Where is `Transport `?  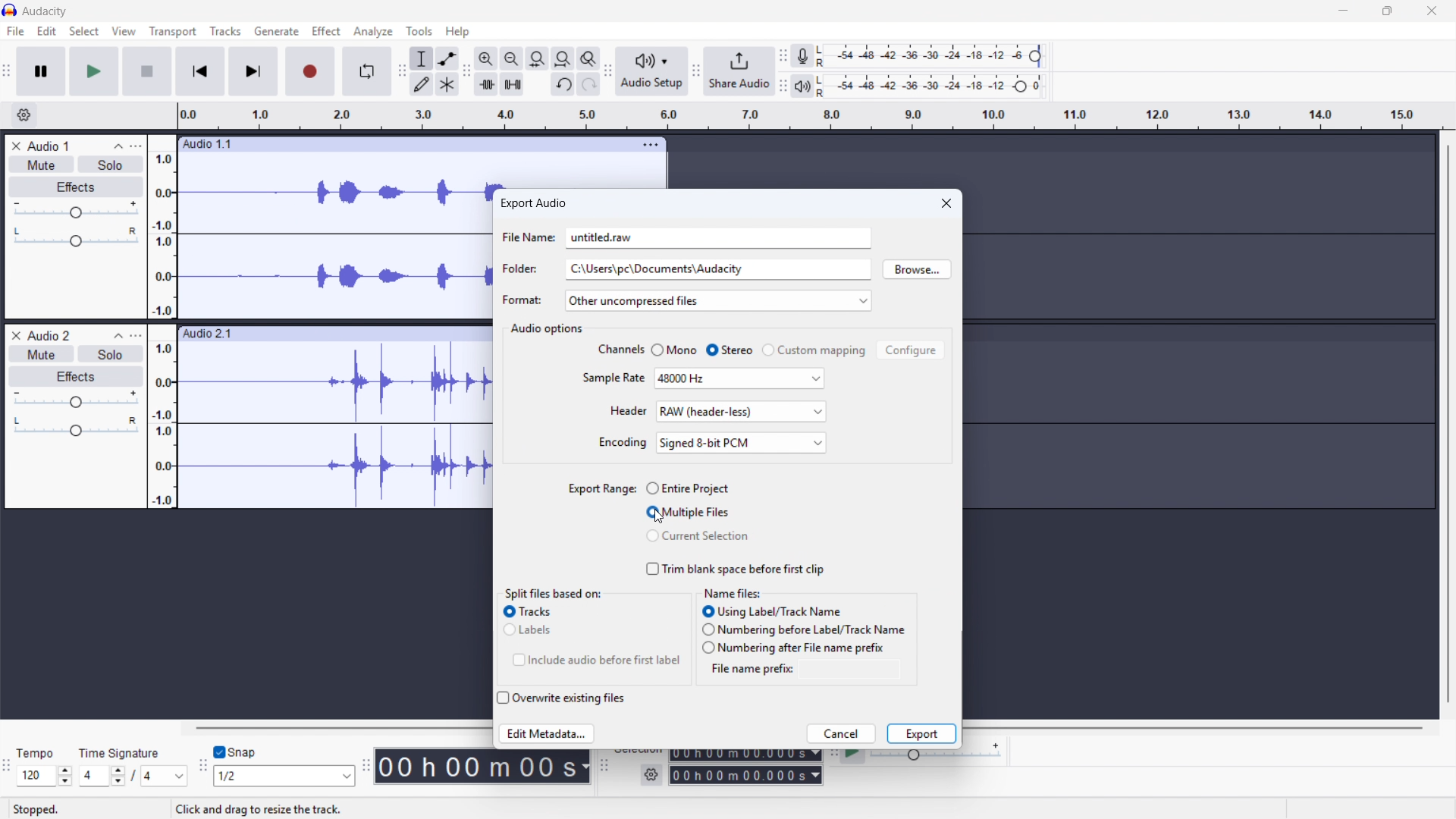 Transport  is located at coordinates (174, 31).